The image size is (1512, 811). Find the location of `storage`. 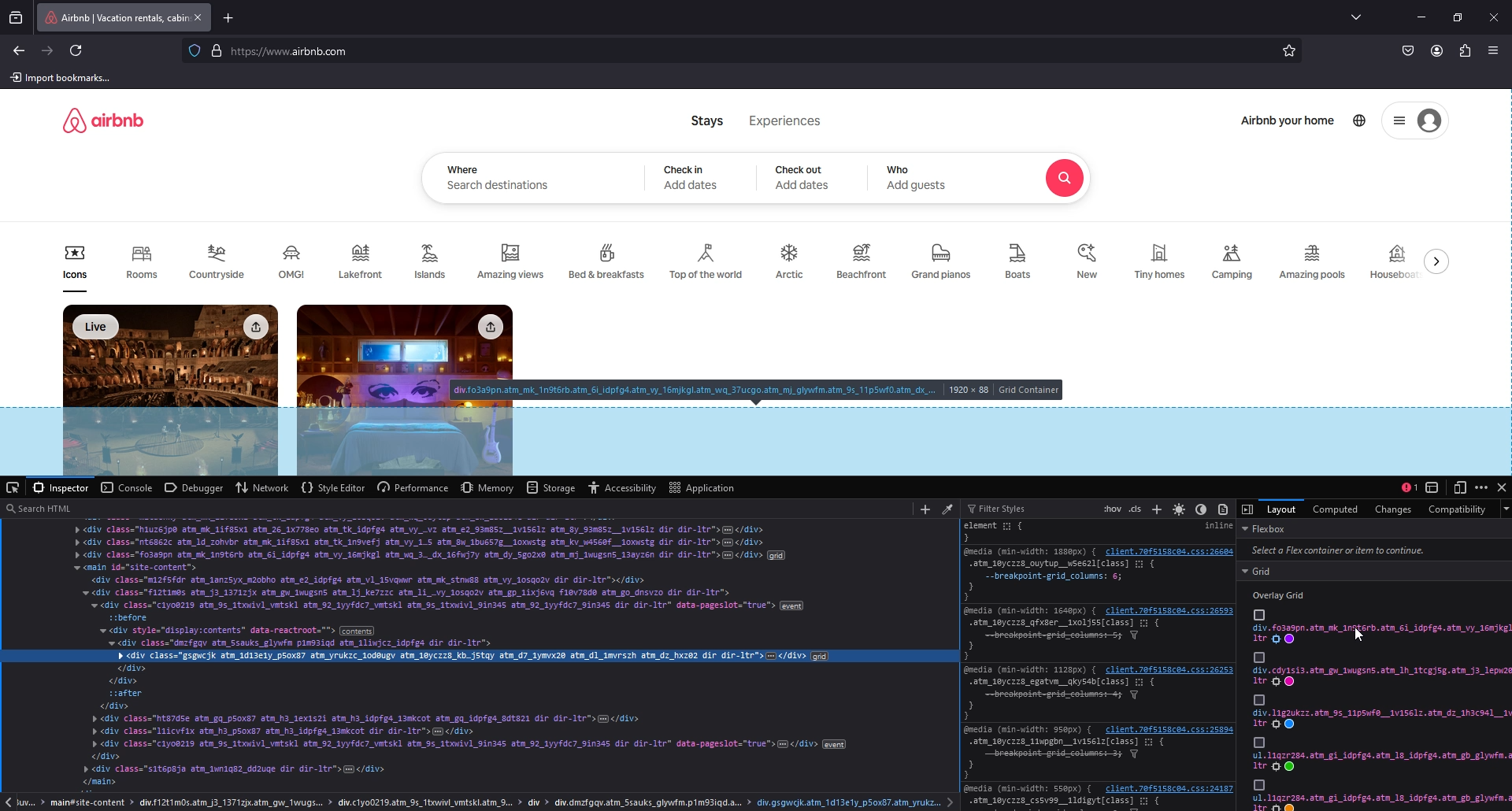

storage is located at coordinates (552, 487).